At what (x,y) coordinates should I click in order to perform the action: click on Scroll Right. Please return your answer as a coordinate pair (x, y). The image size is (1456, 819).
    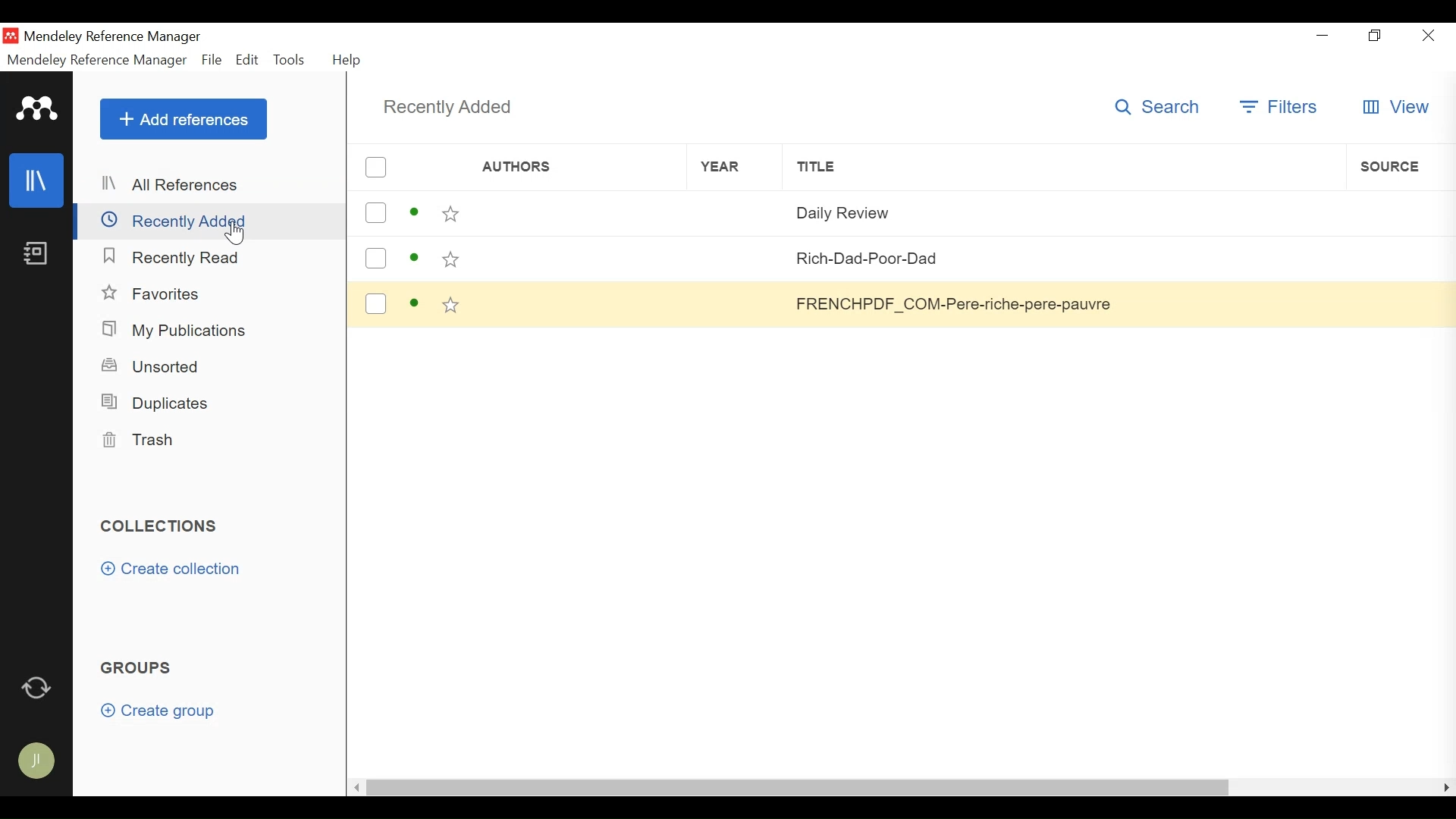
    Looking at the image, I should click on (1447, 789).